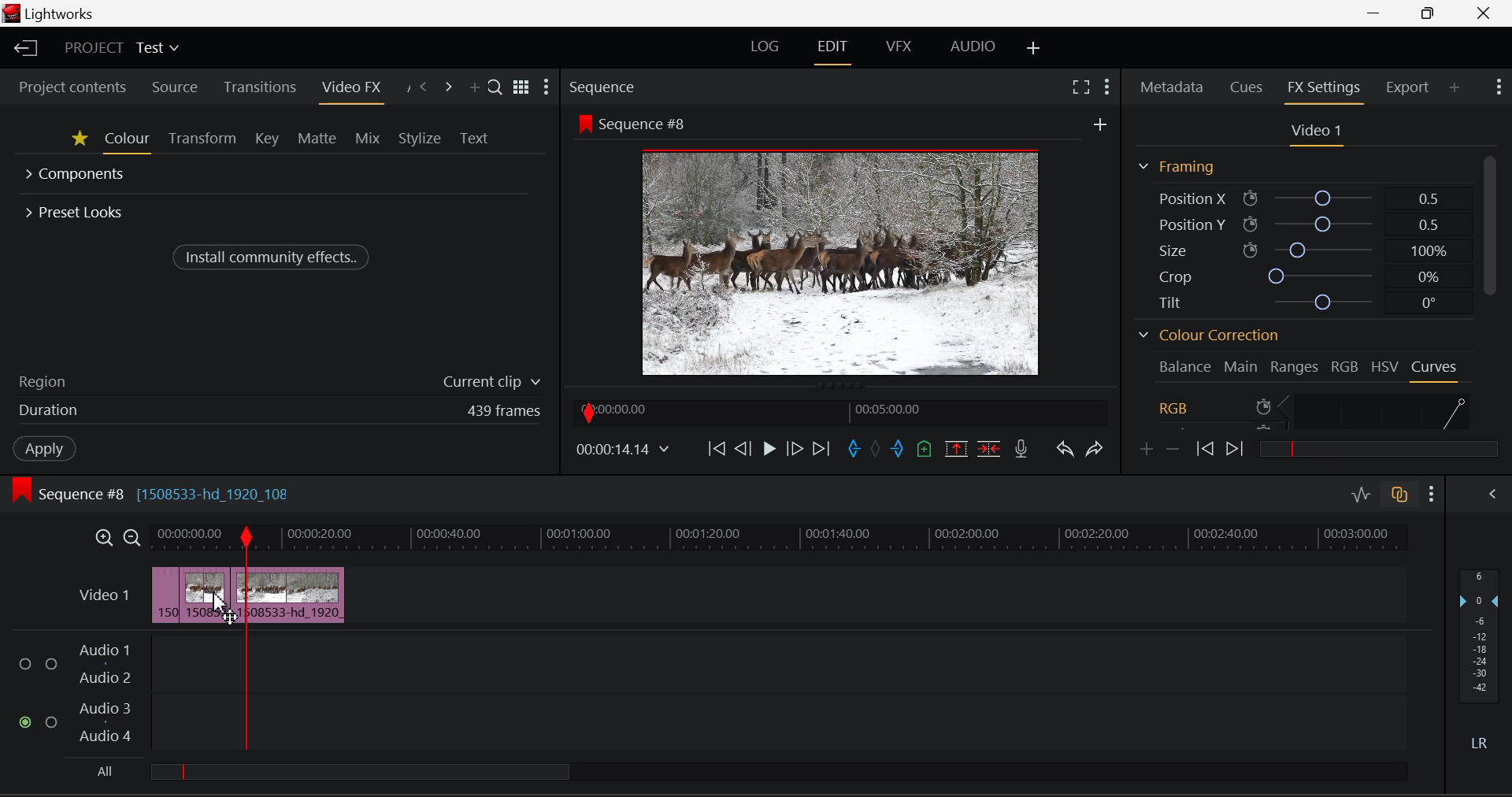 The width and height of the screenshot is (1512, 797). Describe the element at coordinates (1360, 495) in the screenshot. I see `Toggle Audio Levels Editing` at that location.